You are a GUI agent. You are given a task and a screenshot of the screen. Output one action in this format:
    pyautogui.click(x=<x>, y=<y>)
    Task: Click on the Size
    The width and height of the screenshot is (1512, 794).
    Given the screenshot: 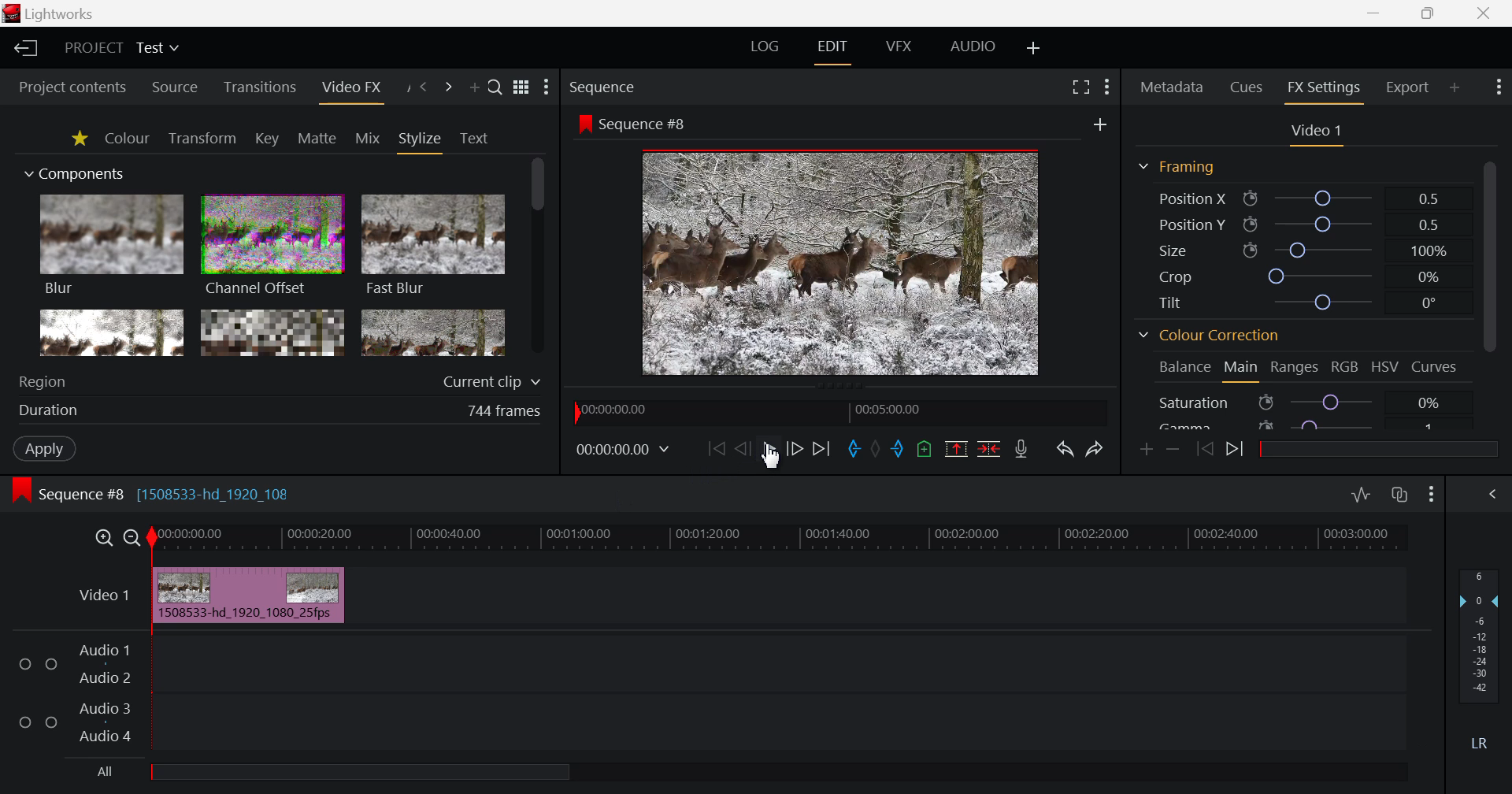 What is the action you would take?
    pyautogui.click(x=1299, y=250)
    